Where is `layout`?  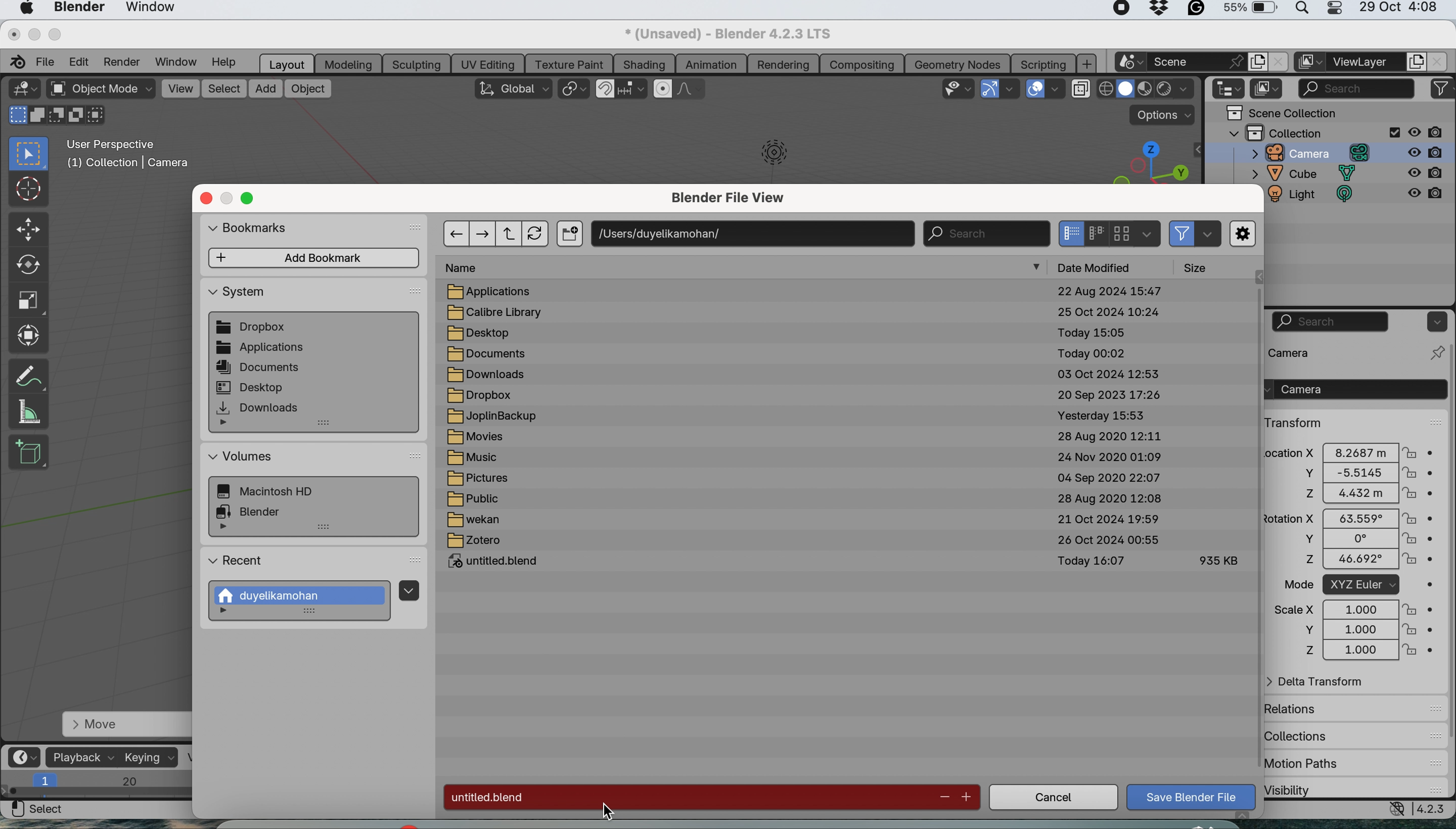
layout is located at coordinates (287, 63).